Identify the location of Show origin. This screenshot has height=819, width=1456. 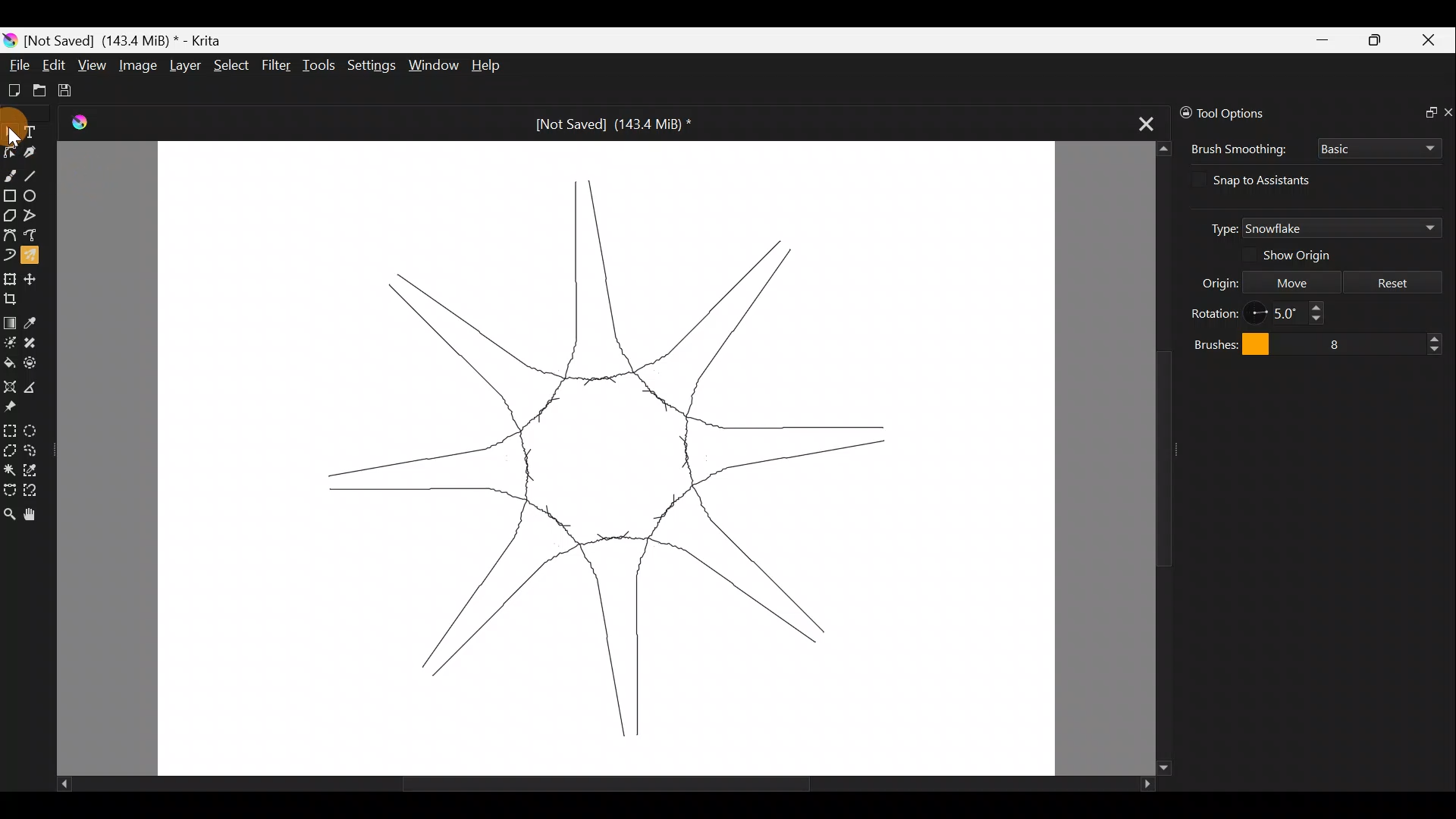
(1307, 256).